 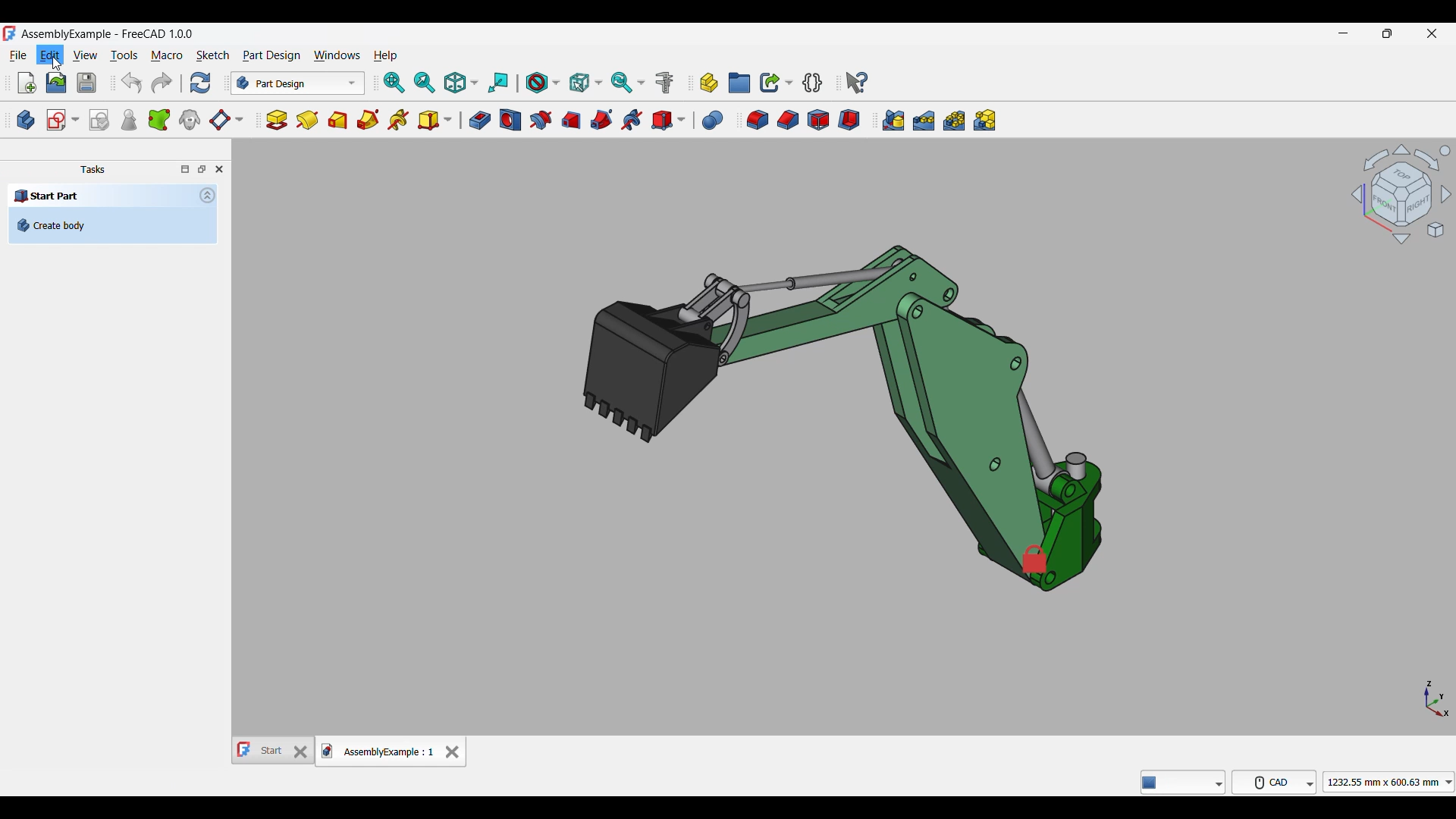 I want to click on Additive helix, so click(x=399, y=121).